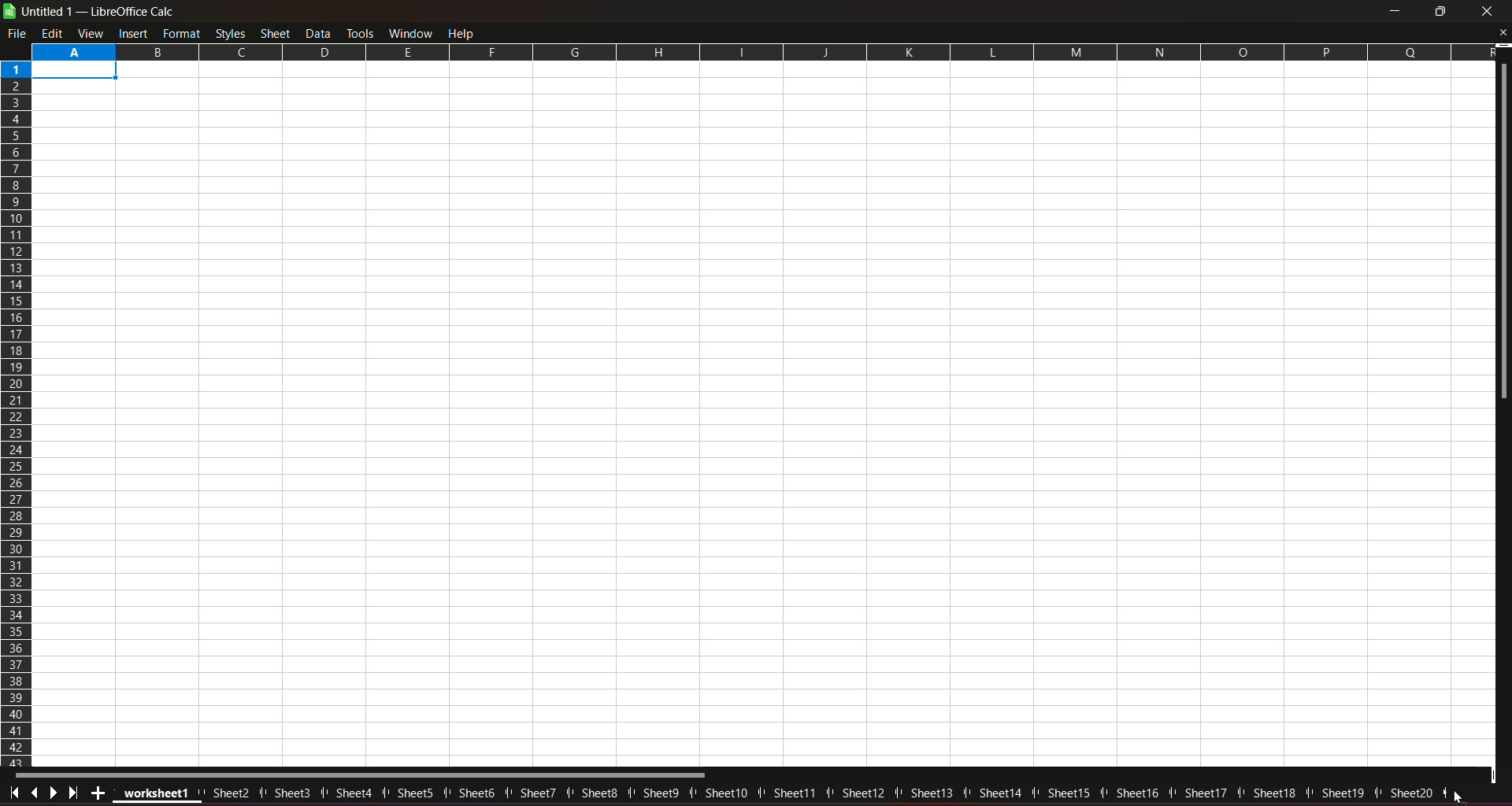 The height and width of the screenshot is (806, 1512). What do you see at coordinates (1502, 33) in the screenshot?
I see `Close` at bounding box center [1502, 33].